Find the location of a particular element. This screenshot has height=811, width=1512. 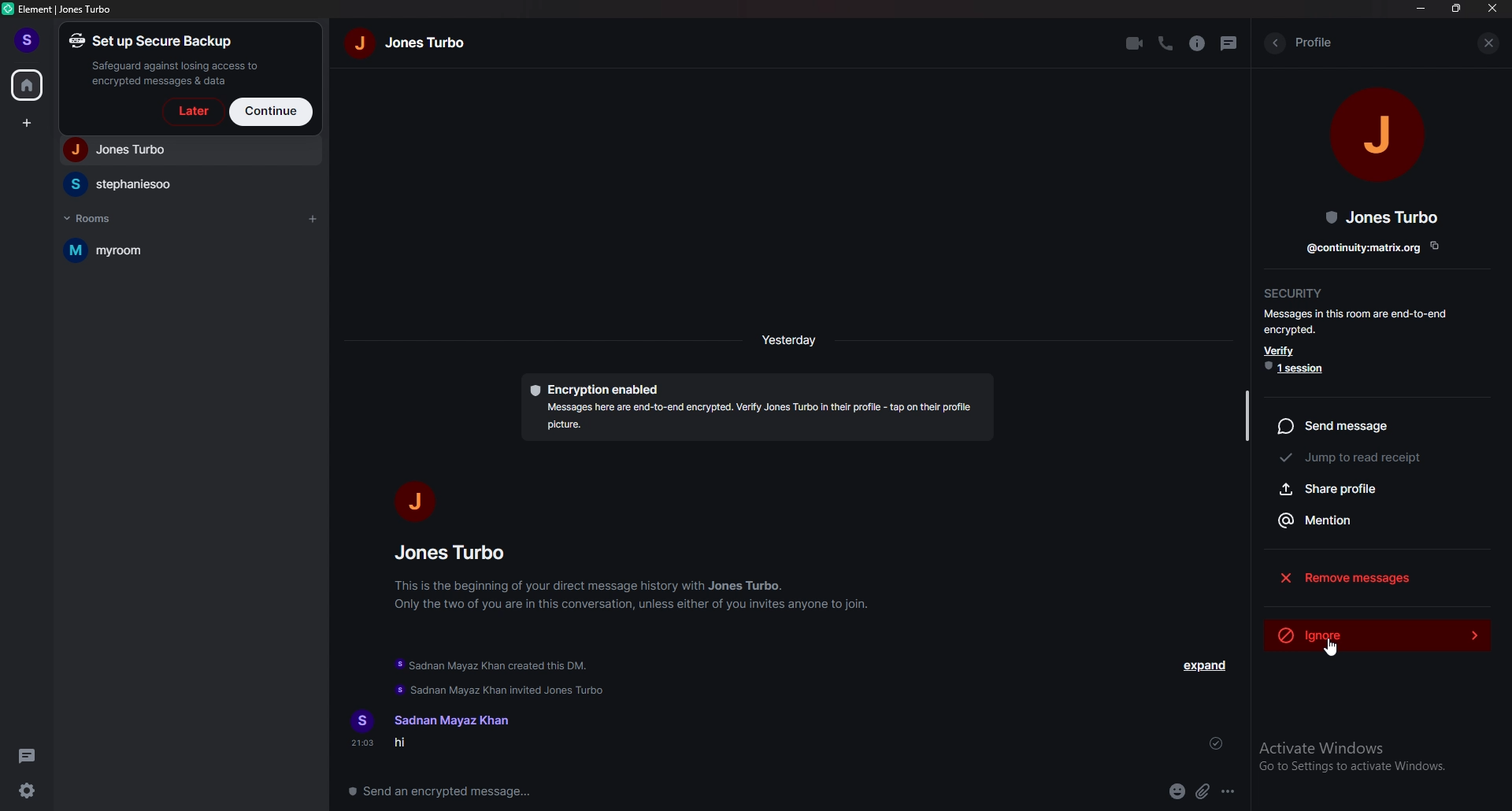

room is located at coordinates (181, 251).